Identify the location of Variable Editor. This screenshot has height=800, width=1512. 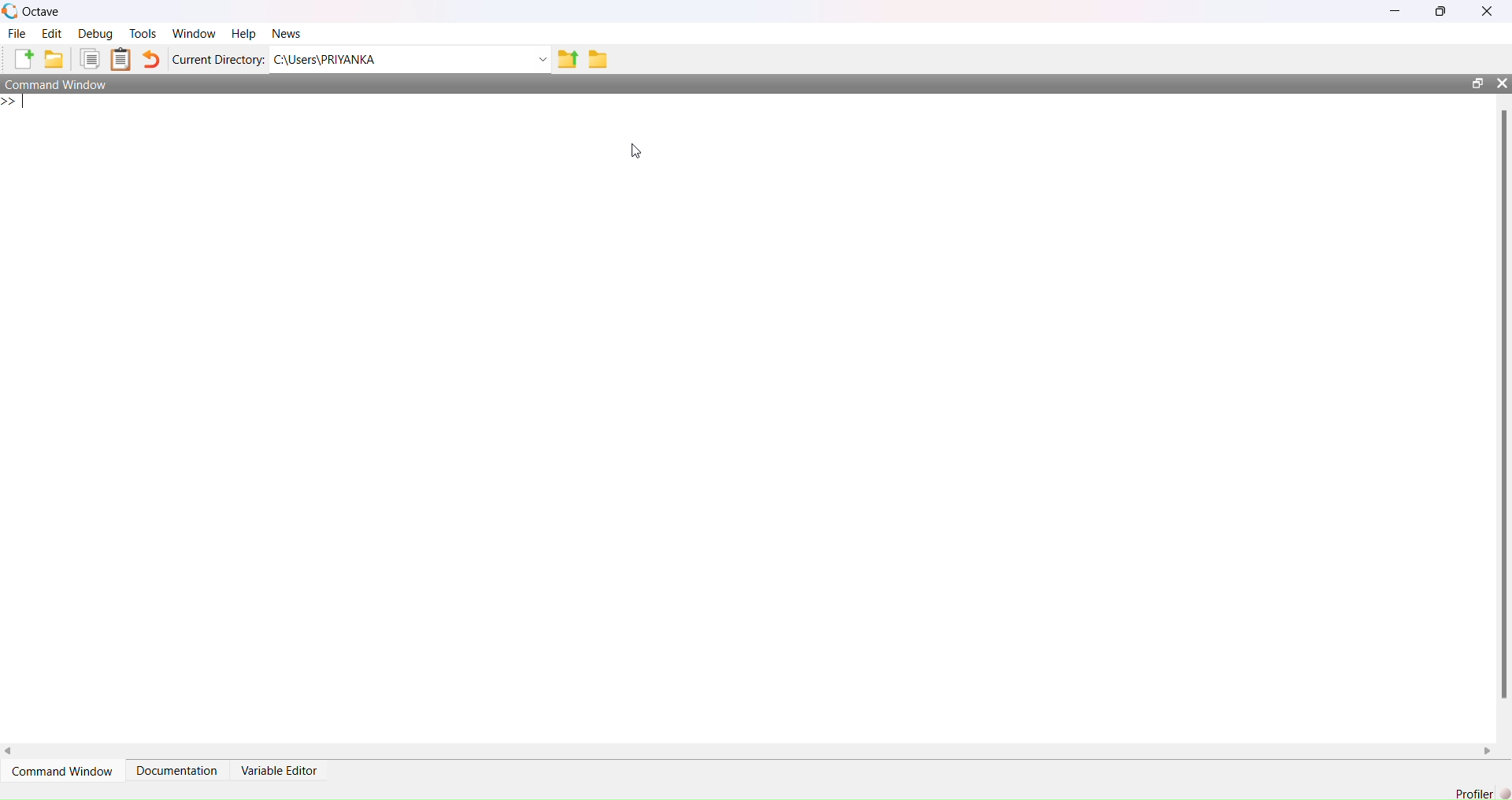
(278, 770).